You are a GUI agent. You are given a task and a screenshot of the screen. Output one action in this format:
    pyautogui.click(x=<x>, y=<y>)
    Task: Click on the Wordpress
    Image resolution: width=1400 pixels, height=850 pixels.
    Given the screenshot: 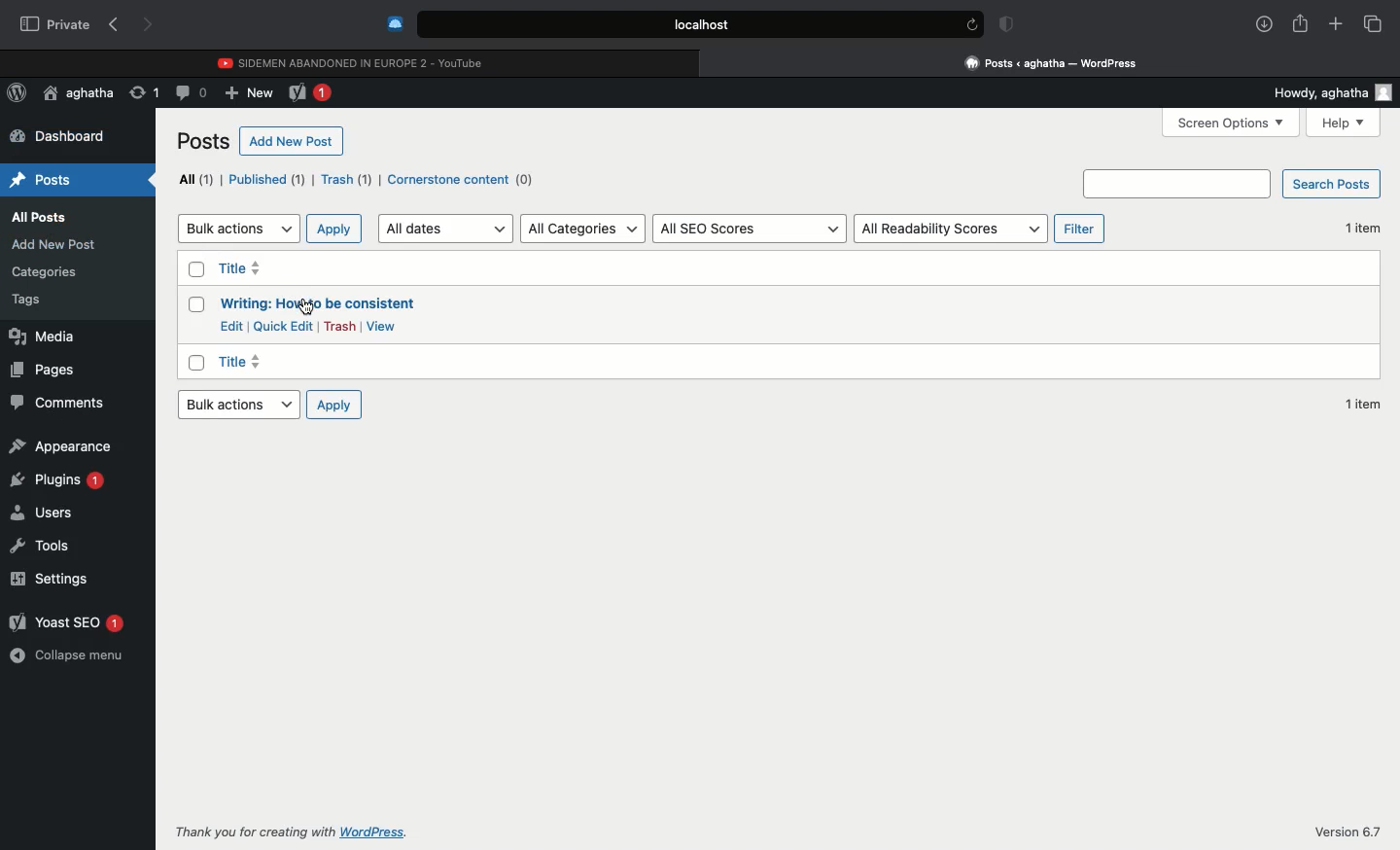 What is the action you would take?
    pyautogui.click(x=17, y=93)
    